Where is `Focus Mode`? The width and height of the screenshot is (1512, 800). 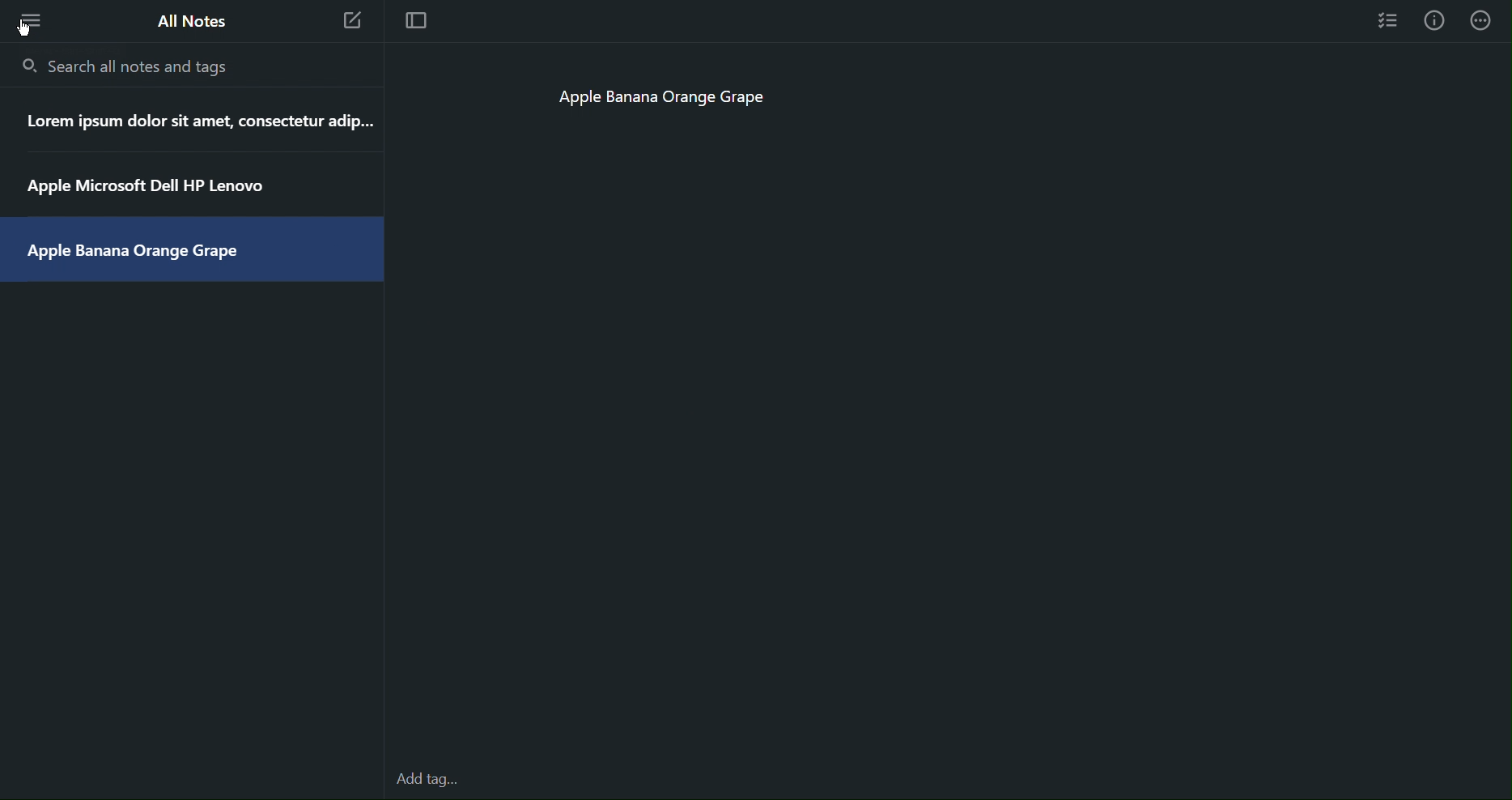
Focus Mode is located at coordinates (414, 22).